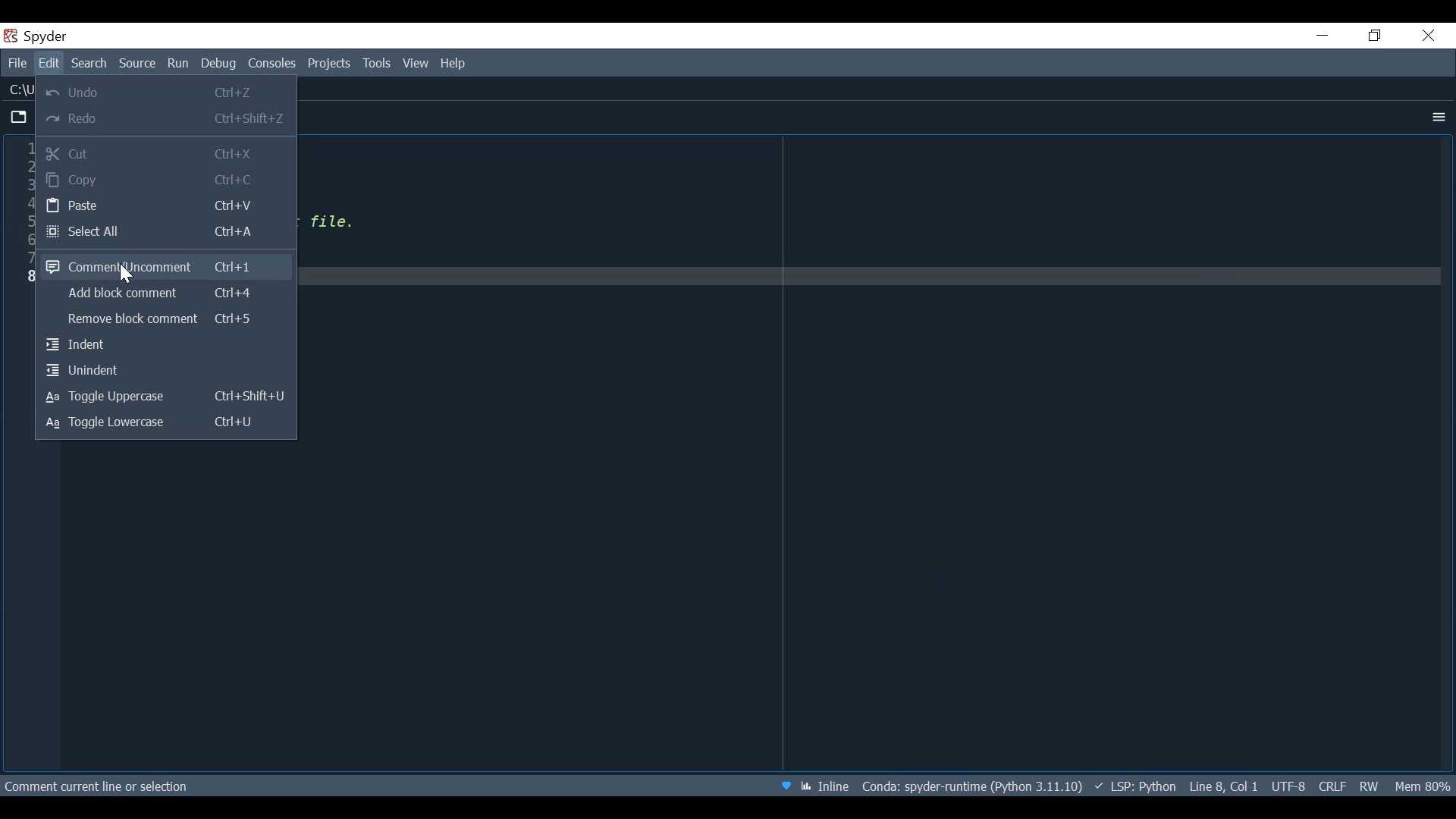 The image size is (1456, 819). I want to click on Spyder Desktop Icon, so click(11, 36).